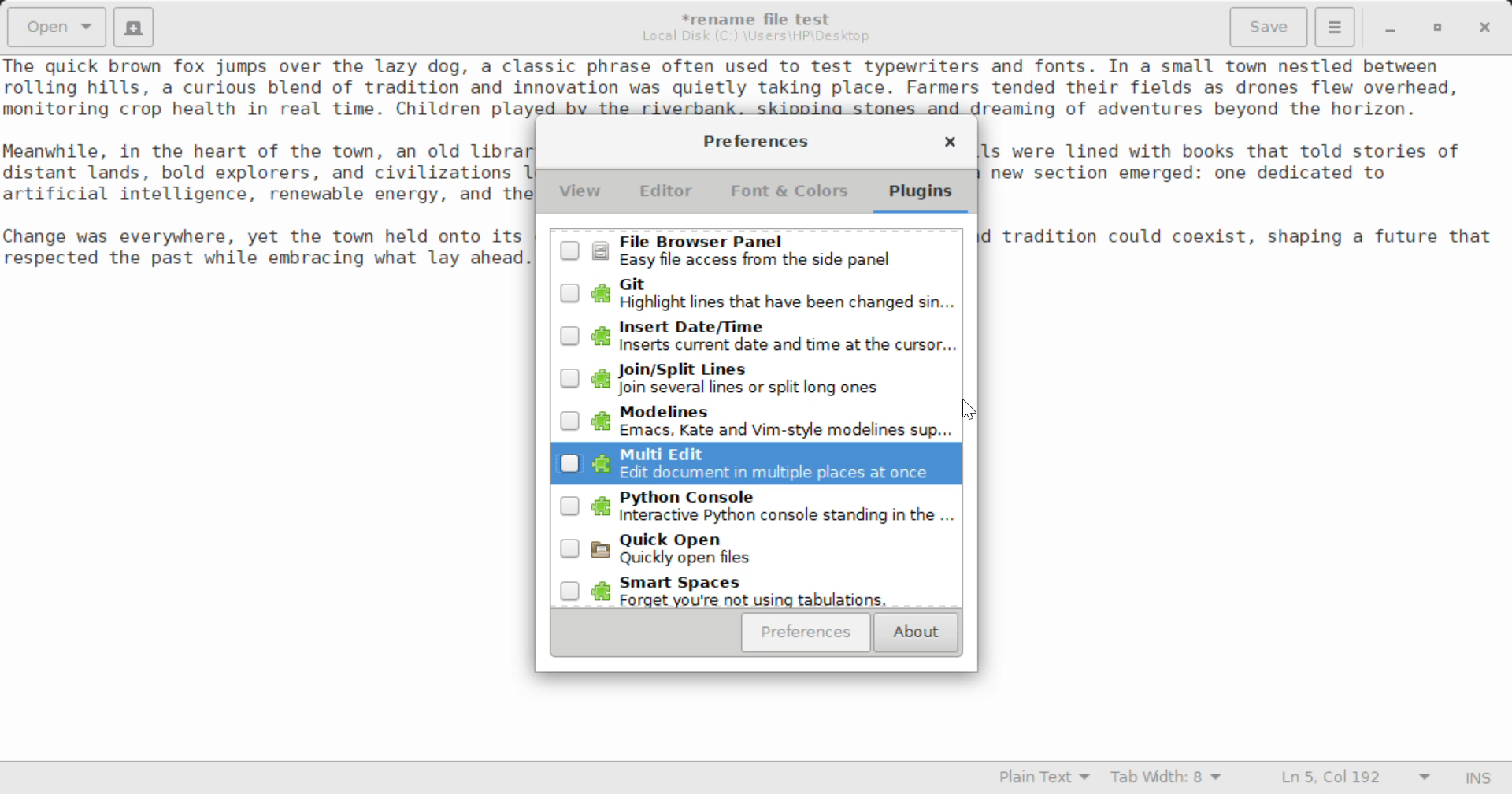  What do you see at coordinates (756, 86) in the screenshot?
I see `Sample text about a charming town` at bounding box center [756, 86].